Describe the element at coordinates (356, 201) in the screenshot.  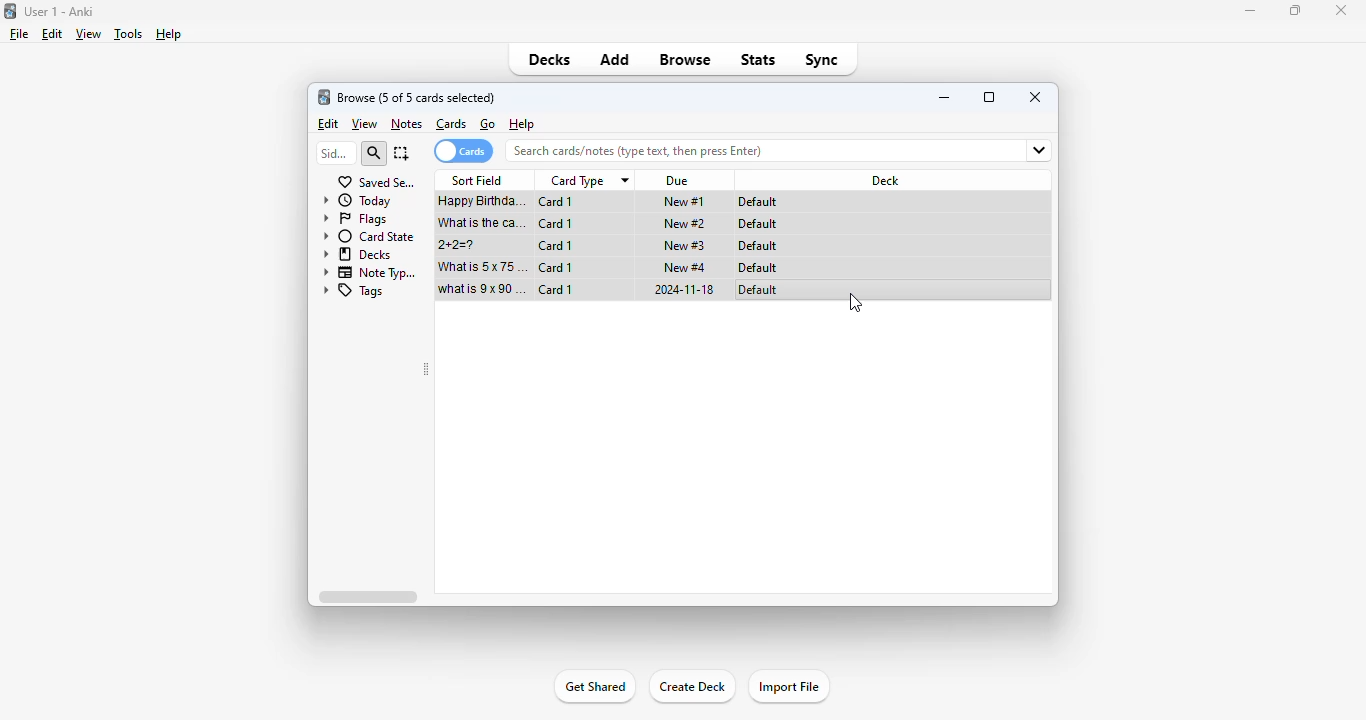
I see `today` at that location.